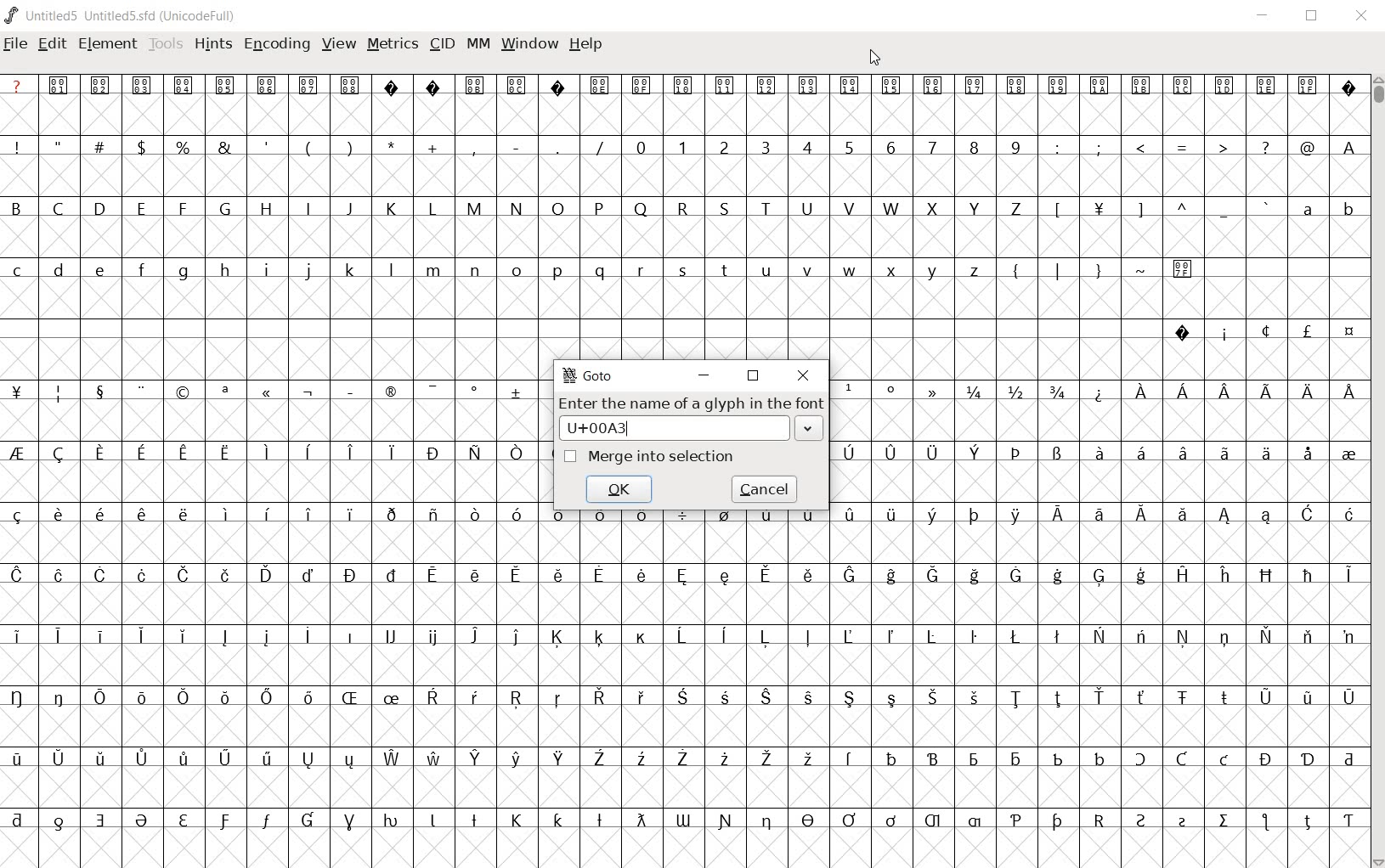  Describe the element at coordinates (1347, 332) in the screenshot. I see `Symbol` at that location.